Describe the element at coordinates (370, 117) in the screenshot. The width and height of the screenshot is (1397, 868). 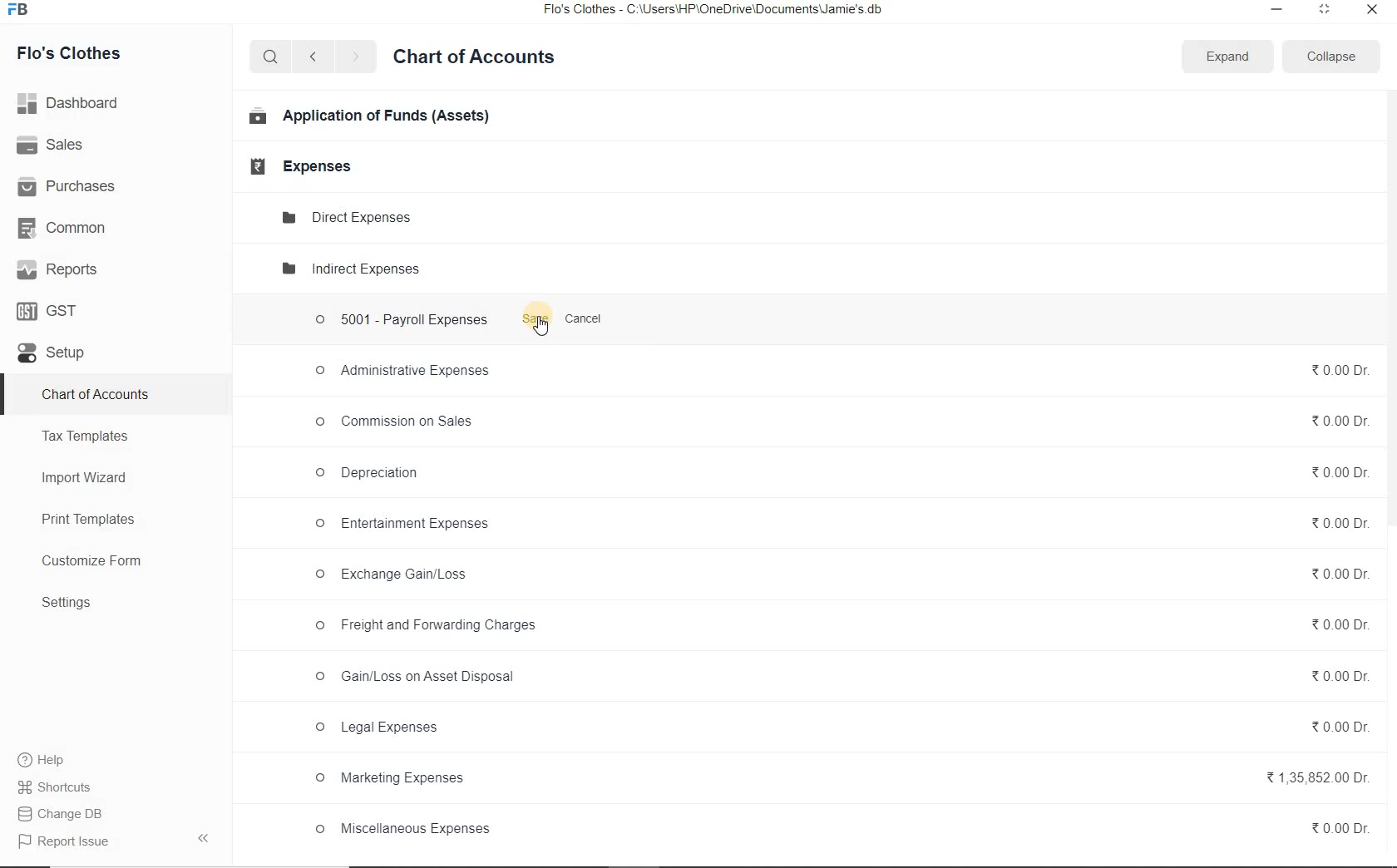
I see `Application of Funds (Assets)` at that location.